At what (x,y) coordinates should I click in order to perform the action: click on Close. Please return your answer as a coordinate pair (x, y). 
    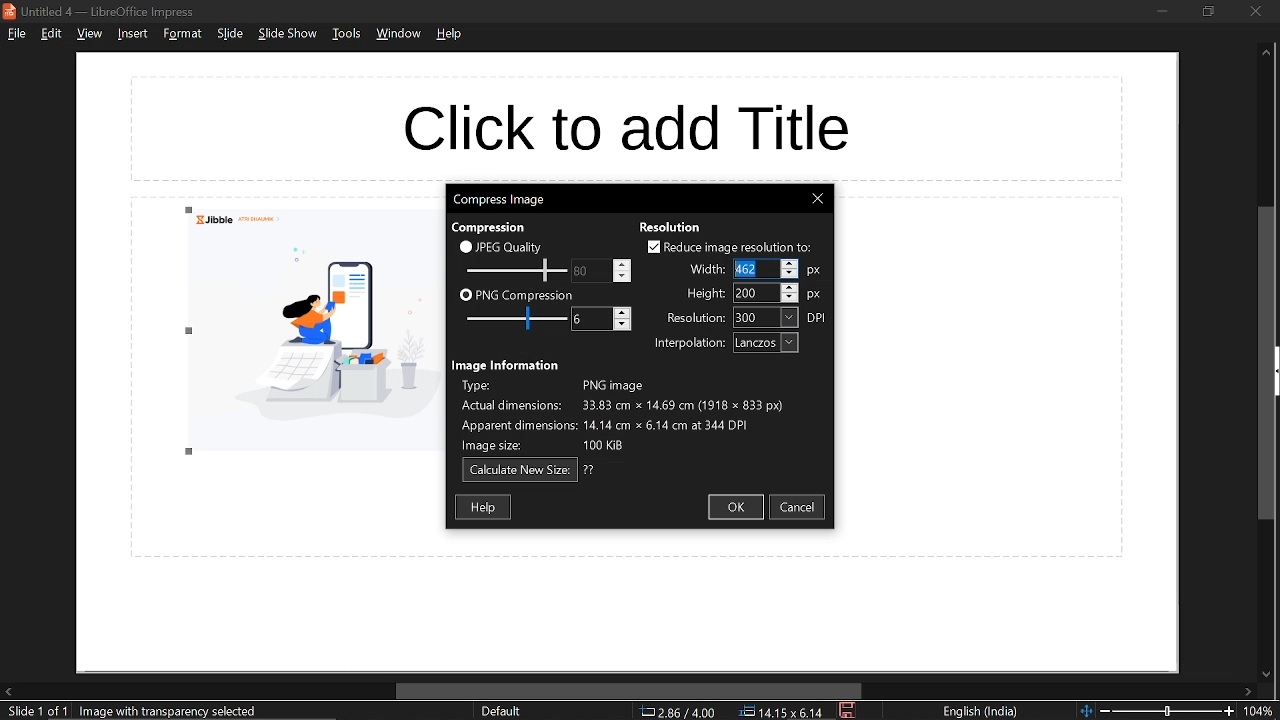
    Looking at the image, I should click on (817, 199).